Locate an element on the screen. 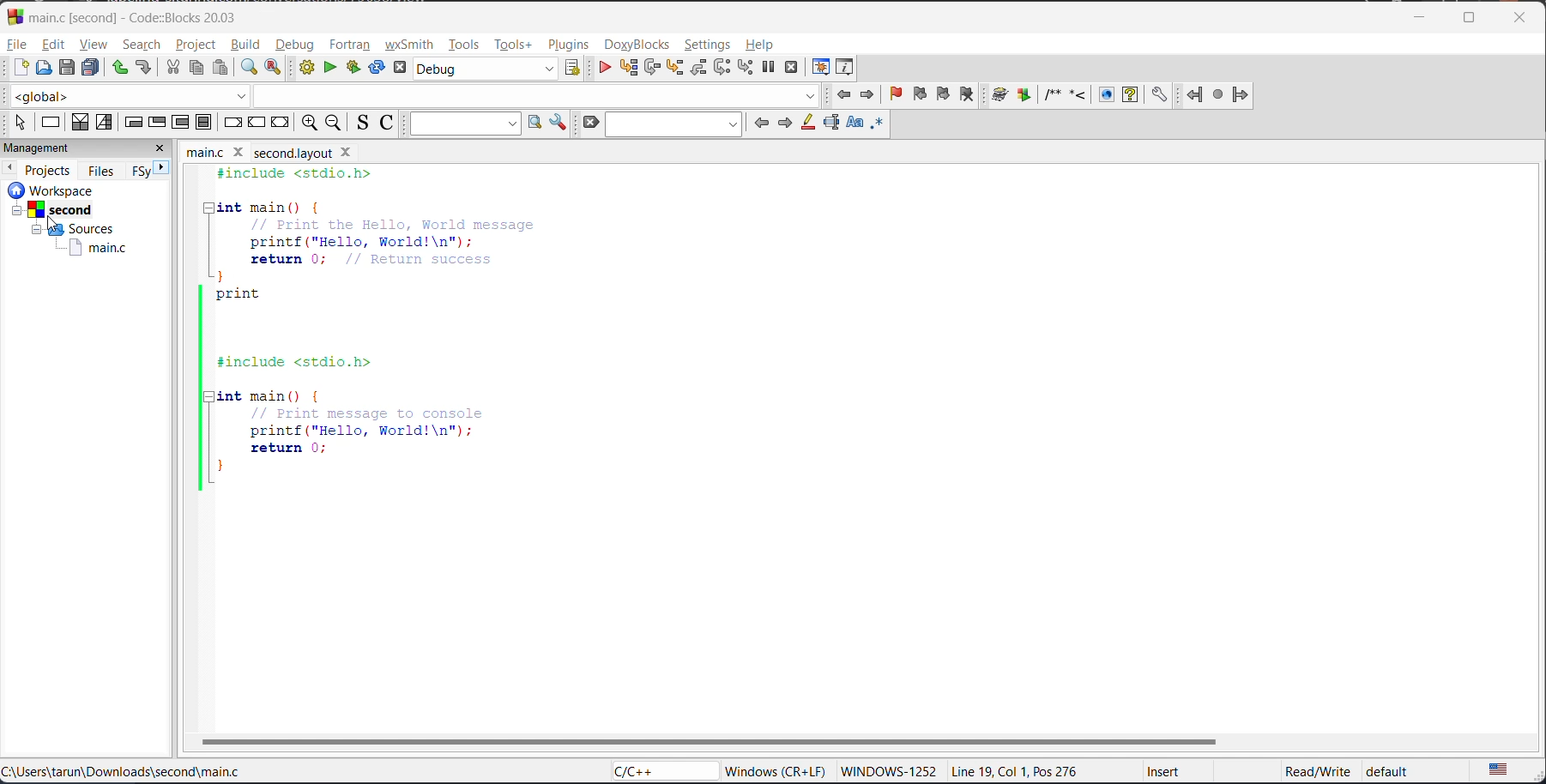  toggle bookmark is located at coordinates (892, 93).